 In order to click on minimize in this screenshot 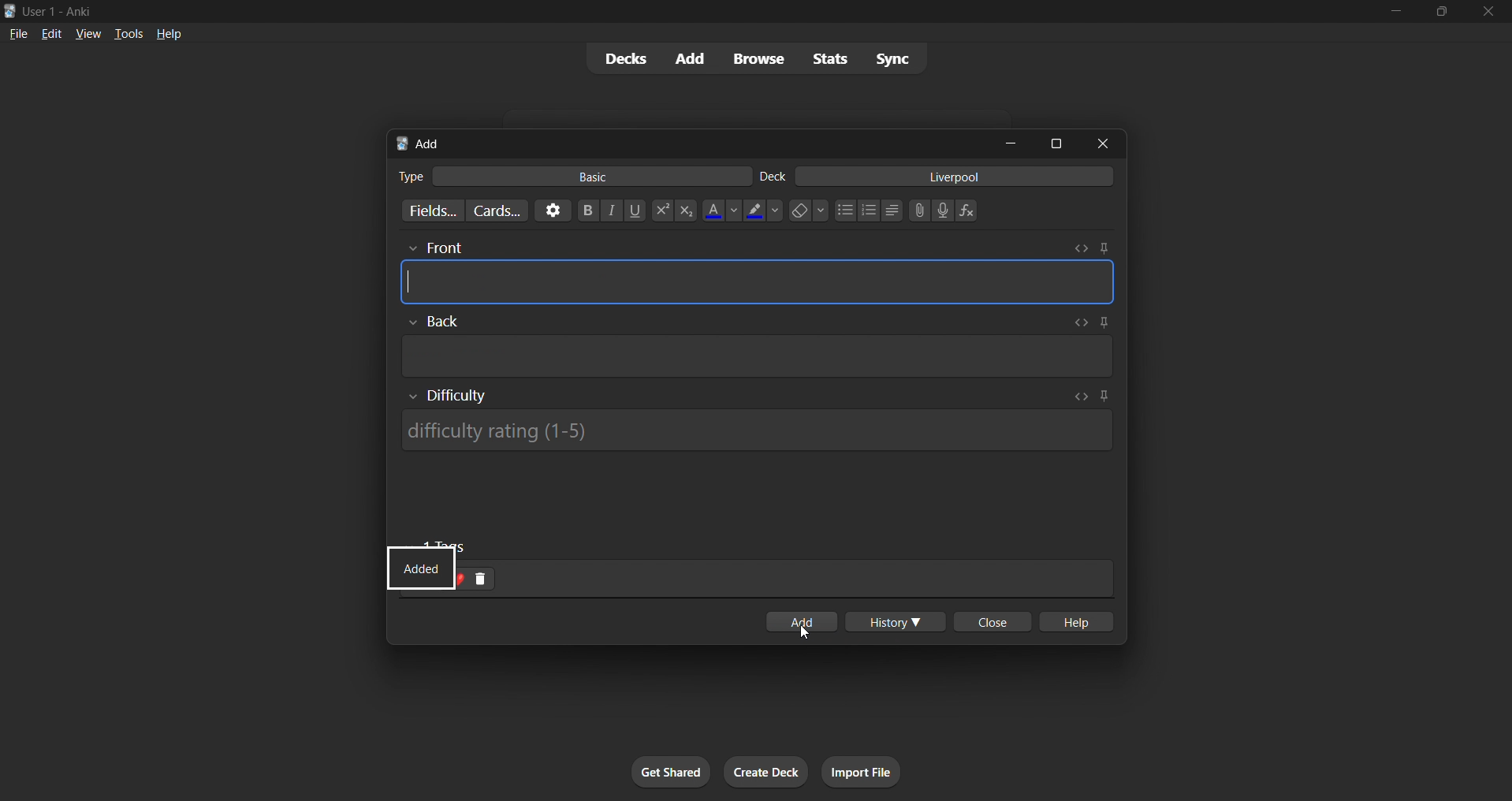, I will do `click(1393, 13)`.